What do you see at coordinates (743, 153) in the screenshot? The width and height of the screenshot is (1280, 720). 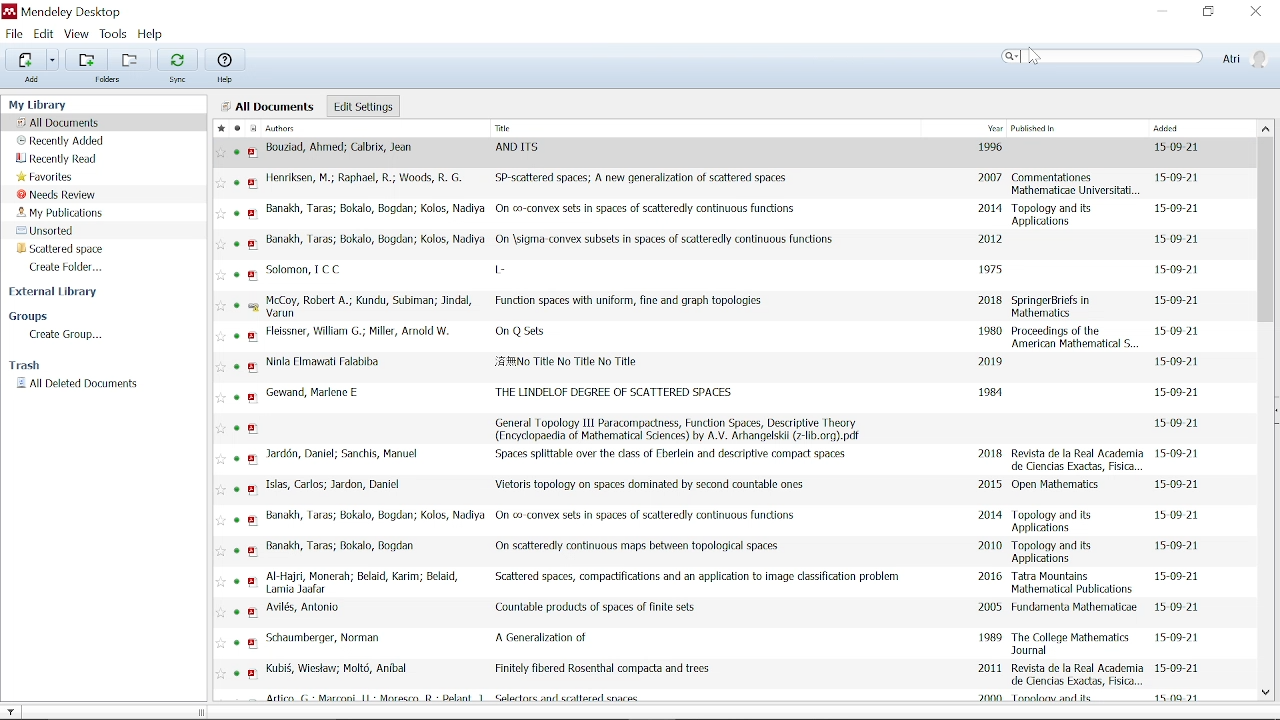 I see `Bouzad, Ahmed; Calbrix, Jean AND LTS 1996 1509 21` at bounding box center [743, 153].